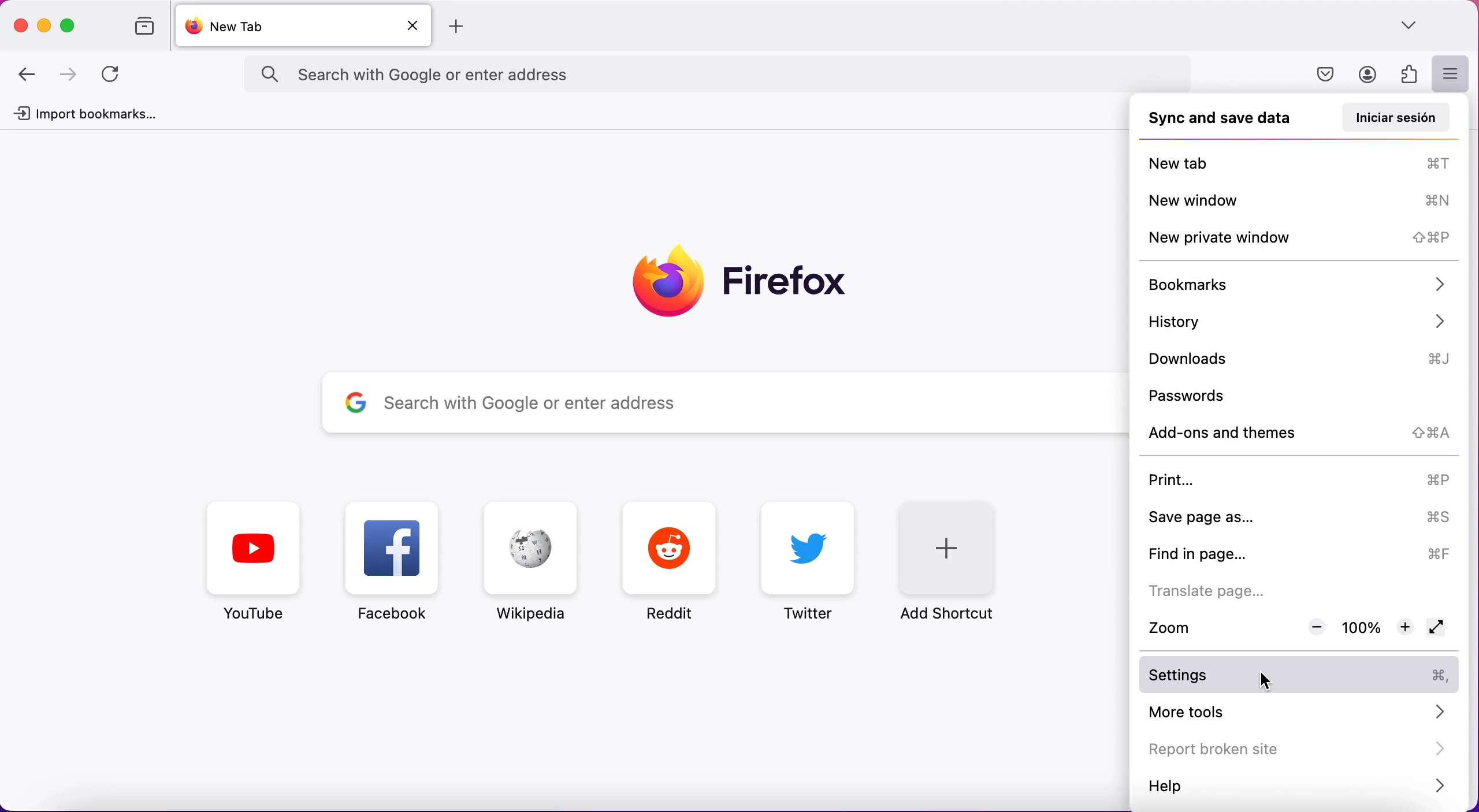 The width and height of the screenshot is (1479, 812). What do you see at coordinates (71, 25) in the screenshot?
I see `maximize` at bounding box center [71, 25].